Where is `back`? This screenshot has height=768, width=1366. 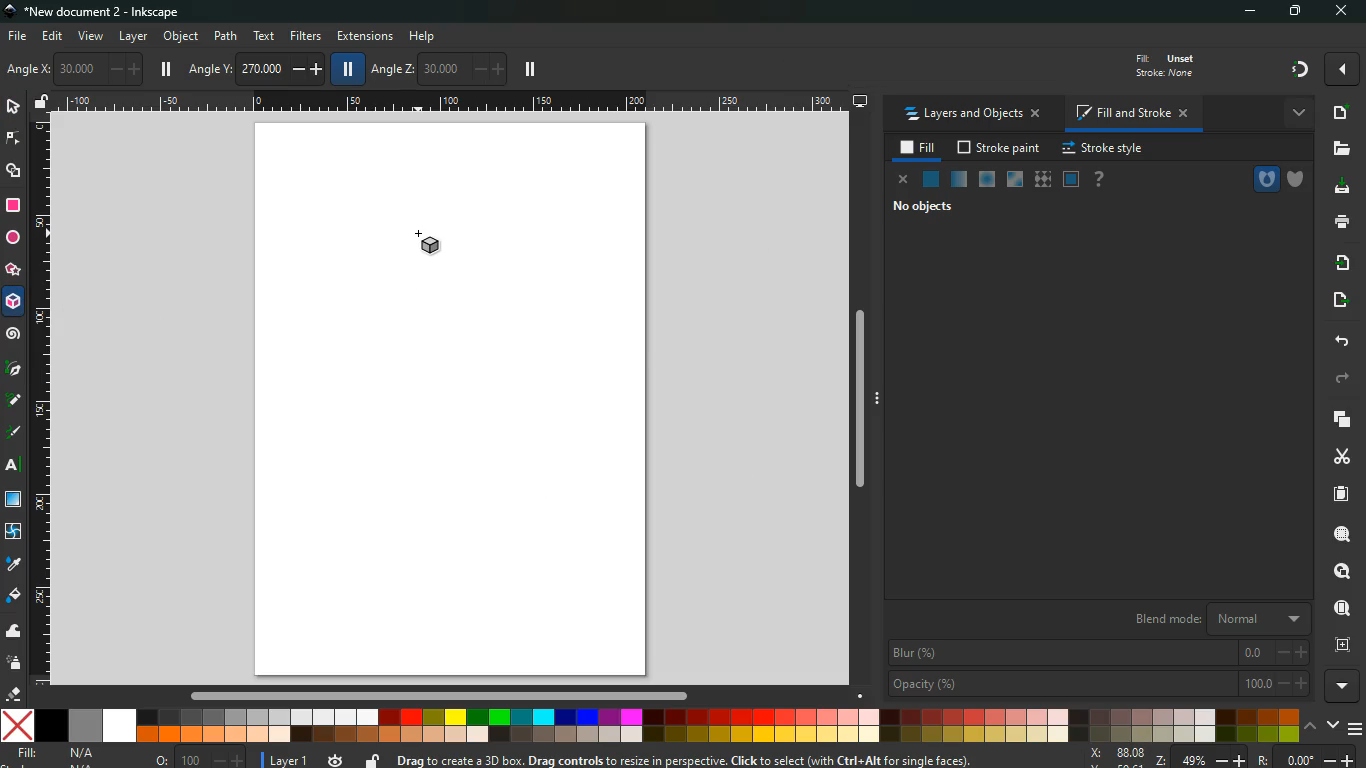
back is located at coordinates (1338, 341).